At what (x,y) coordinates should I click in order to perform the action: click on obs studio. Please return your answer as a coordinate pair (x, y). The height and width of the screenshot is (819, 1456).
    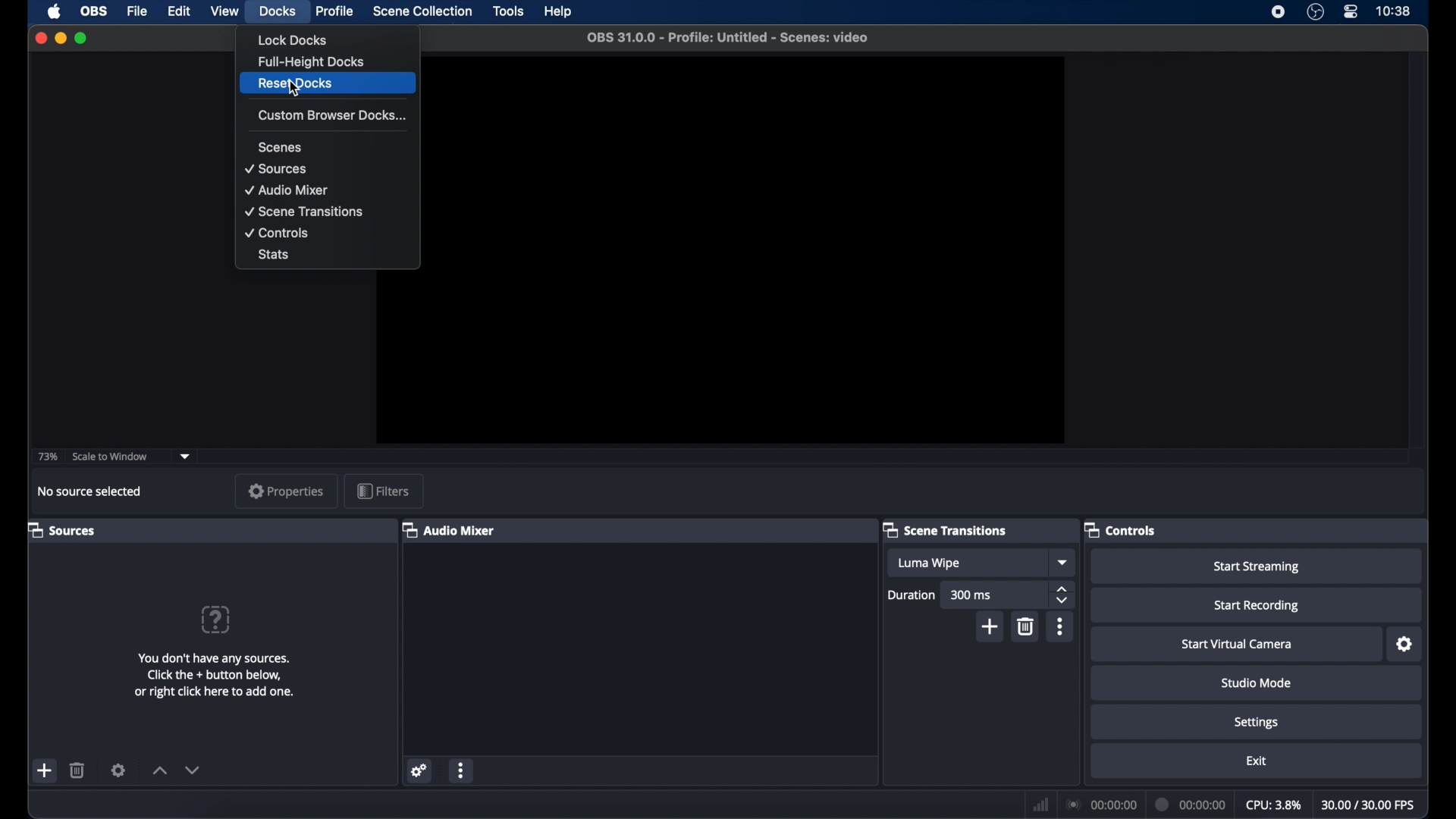
    Looking at the image, I should click on (1315, 12).